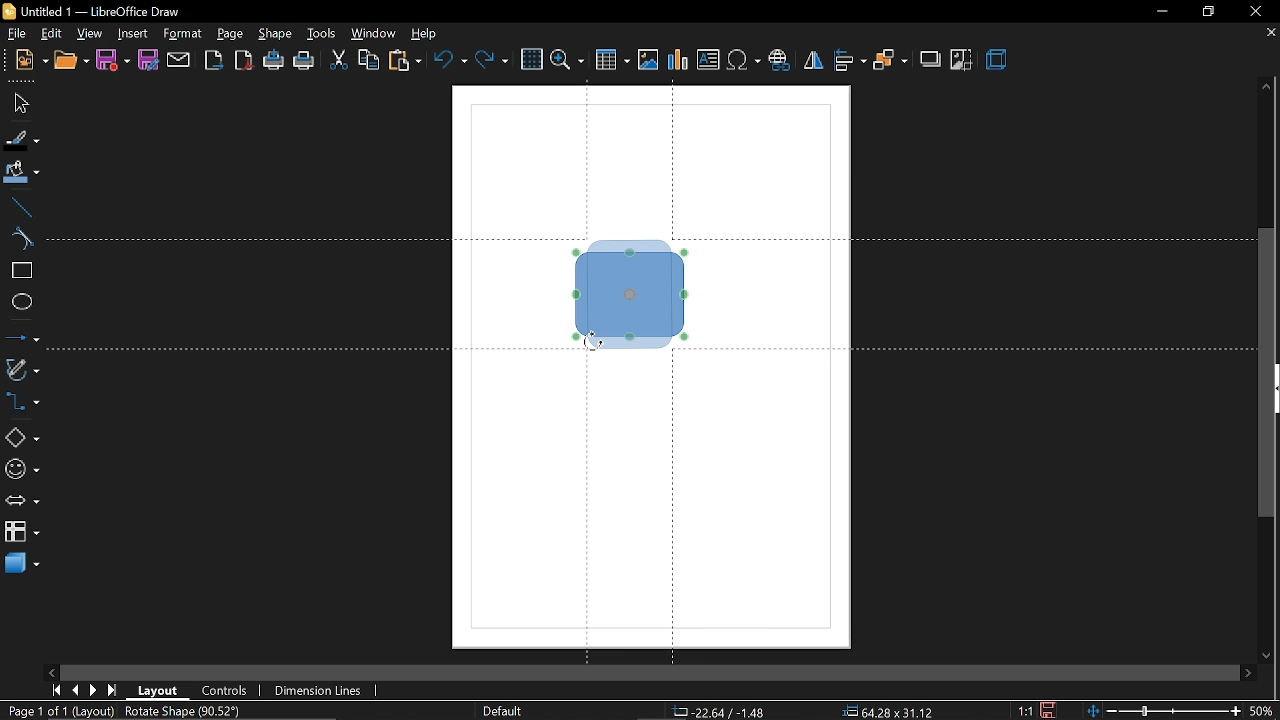  I want to click on arrows, so click(21, 500).